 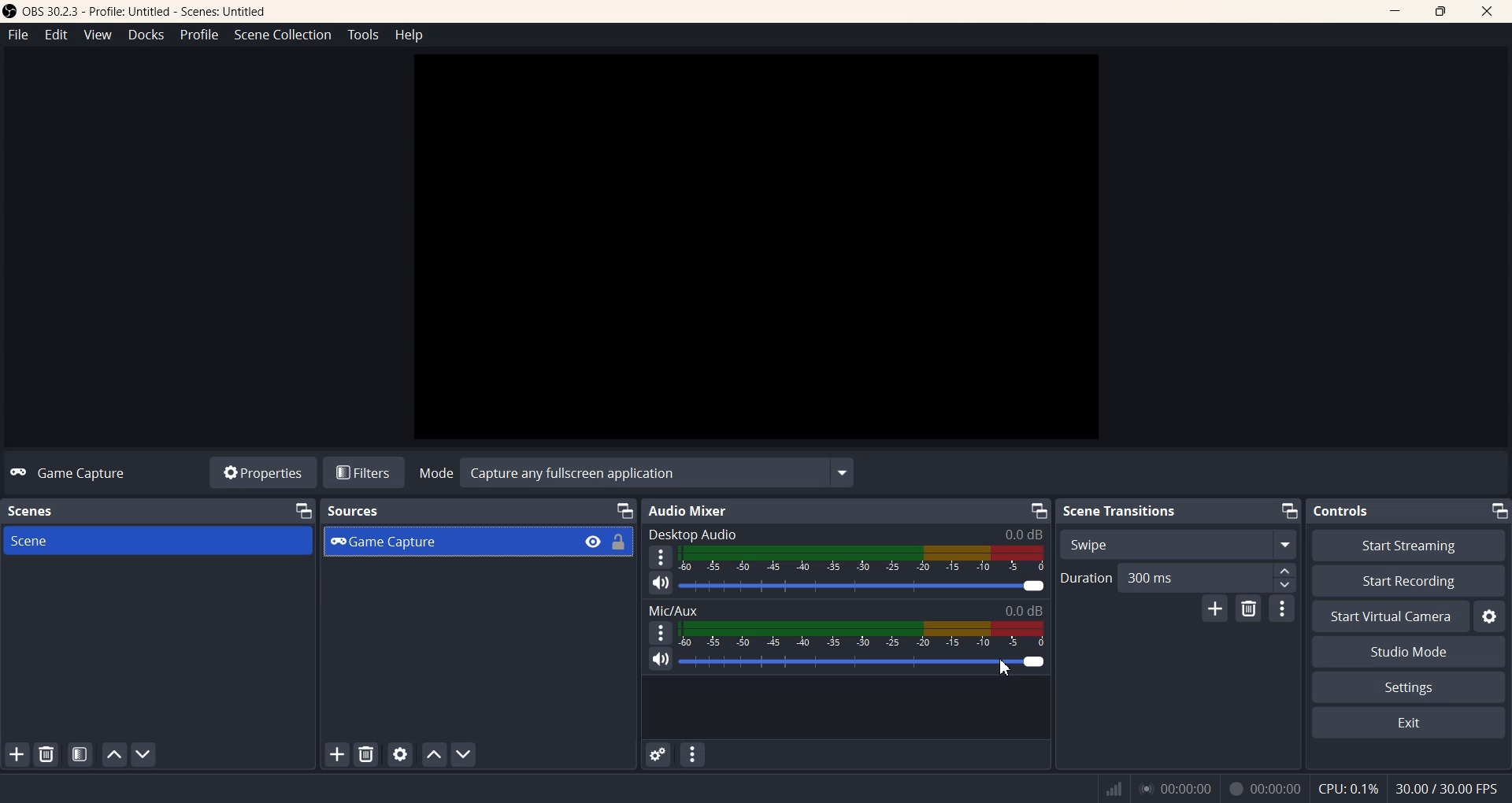 What do you see at coordinates (401, 754) in the screenshot?
I see `Open Sources Properties` at bounding box center [401, 754].